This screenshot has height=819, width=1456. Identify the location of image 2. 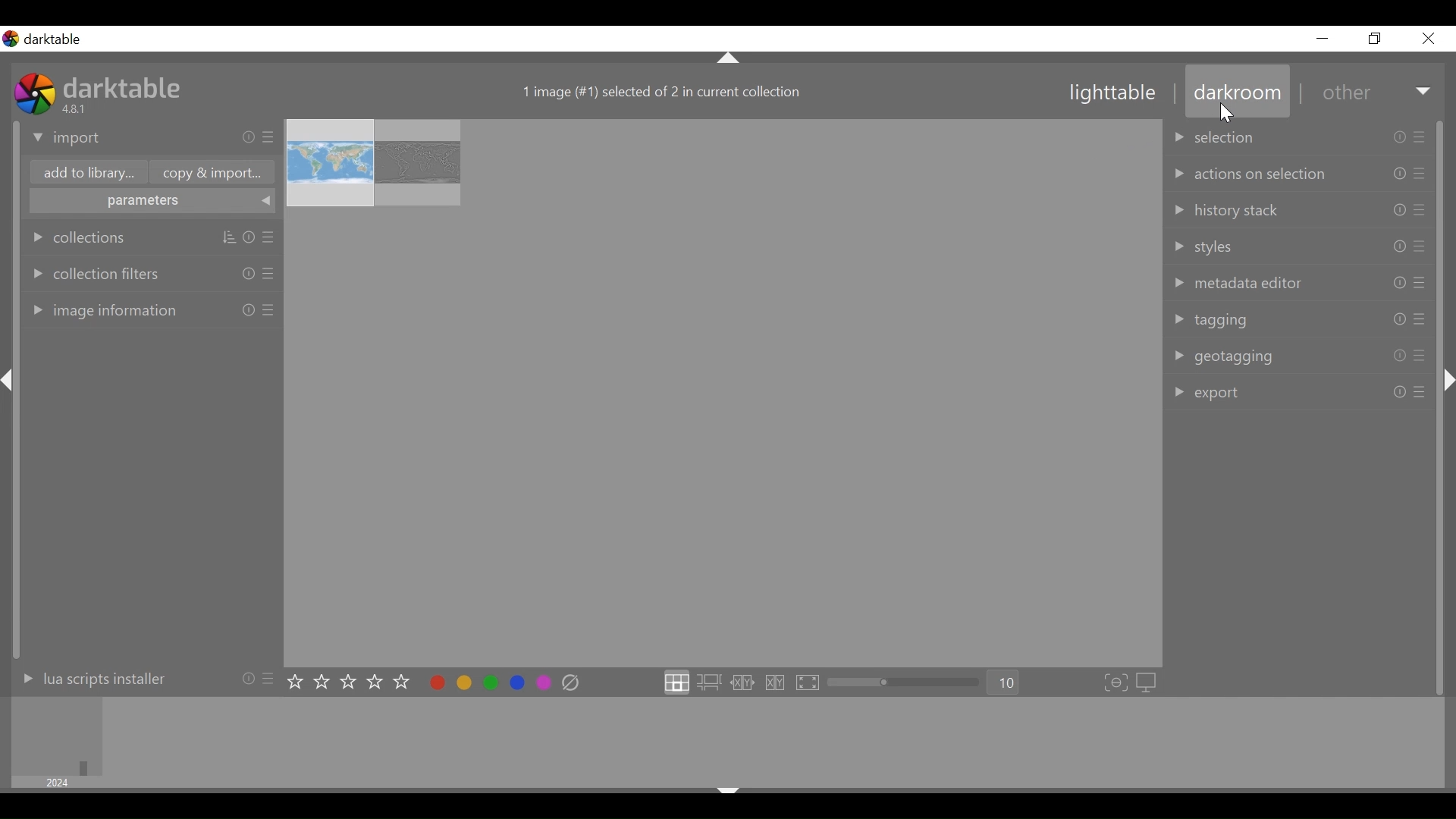
(417, 163).